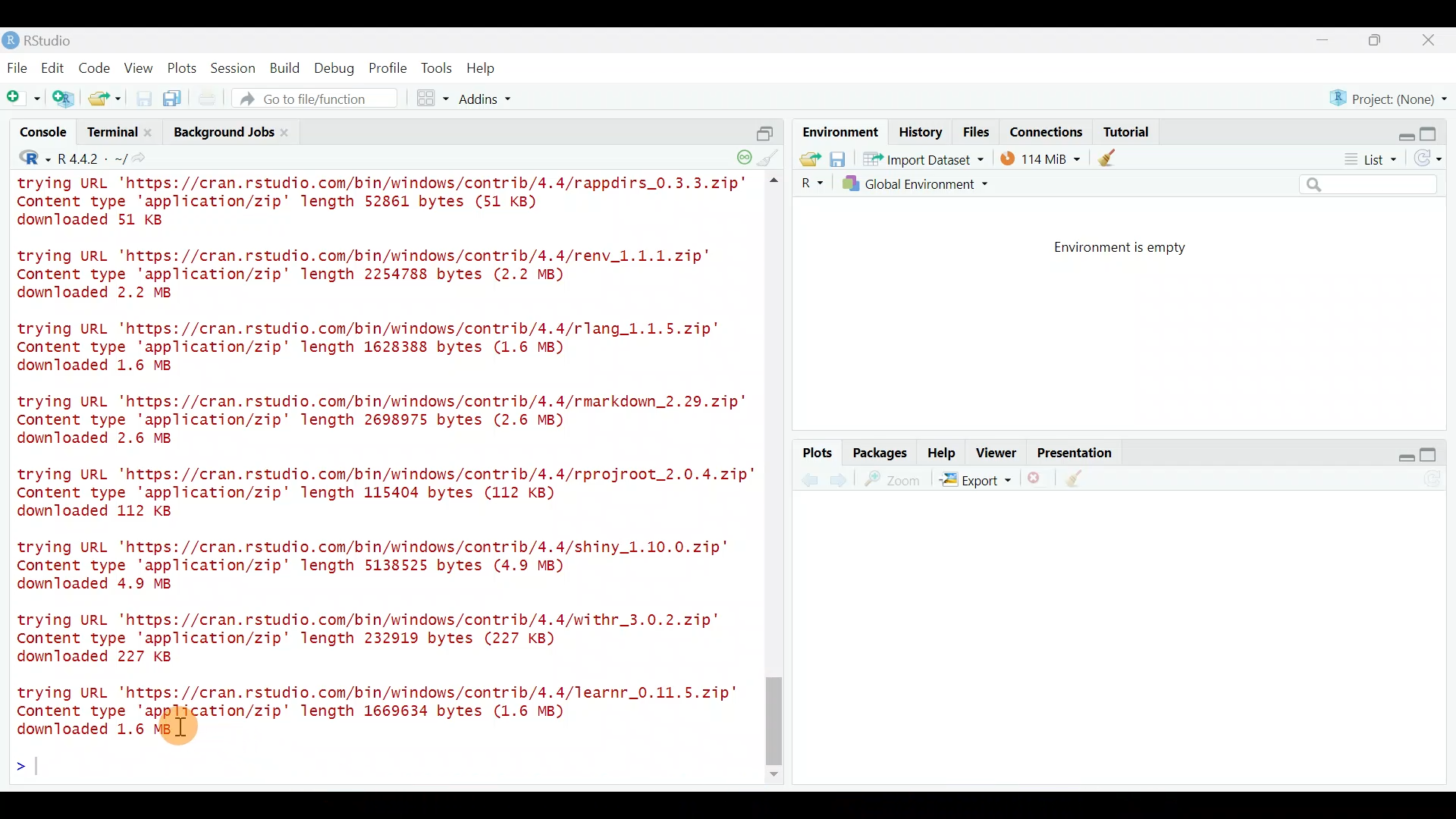 The image size is (1456, 819). What do you see at coordinates (1037, 482) in the screenshot?
I see `remove the current plot` at bounding box center [1037, 482].